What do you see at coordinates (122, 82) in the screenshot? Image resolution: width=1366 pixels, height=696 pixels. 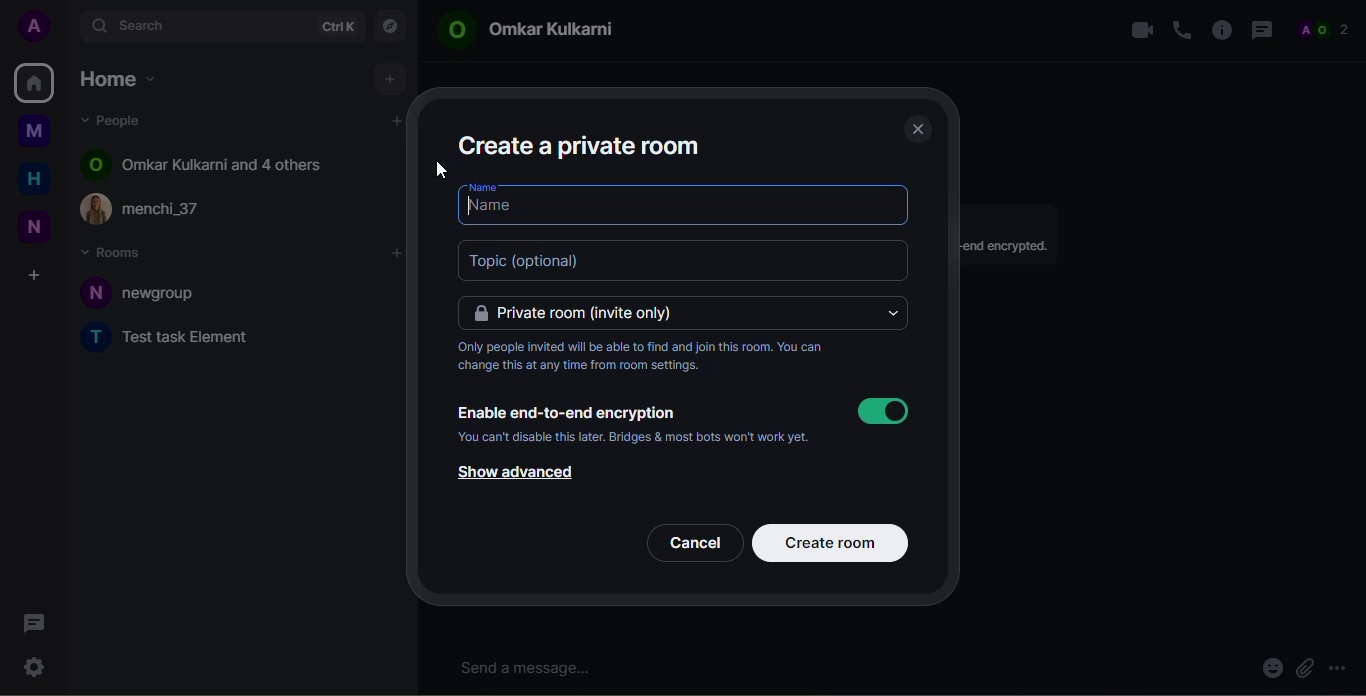 I see `home` at bounding box center [122, 82].